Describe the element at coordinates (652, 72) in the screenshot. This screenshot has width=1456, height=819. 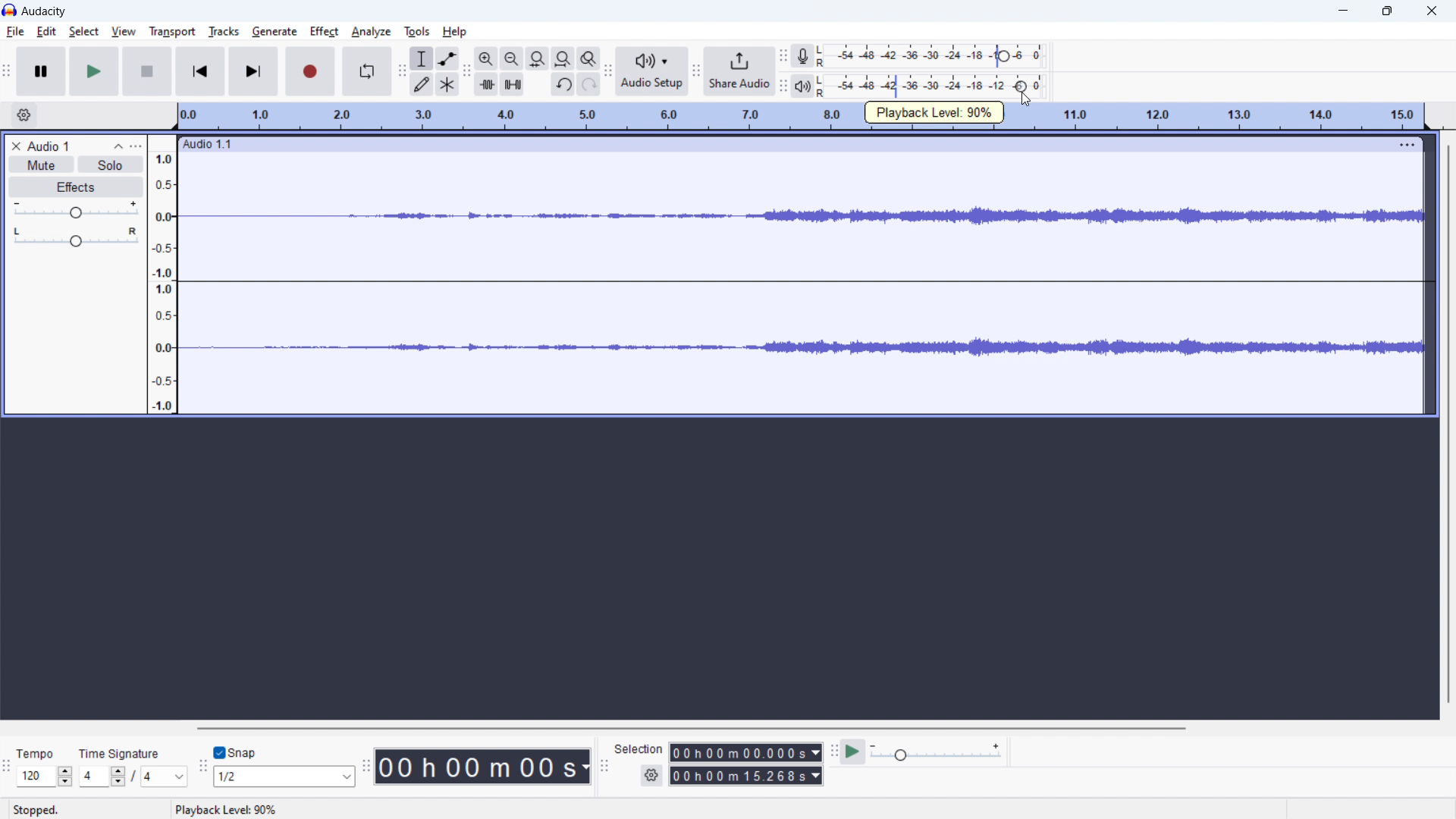
I see `audio setup` at that location.